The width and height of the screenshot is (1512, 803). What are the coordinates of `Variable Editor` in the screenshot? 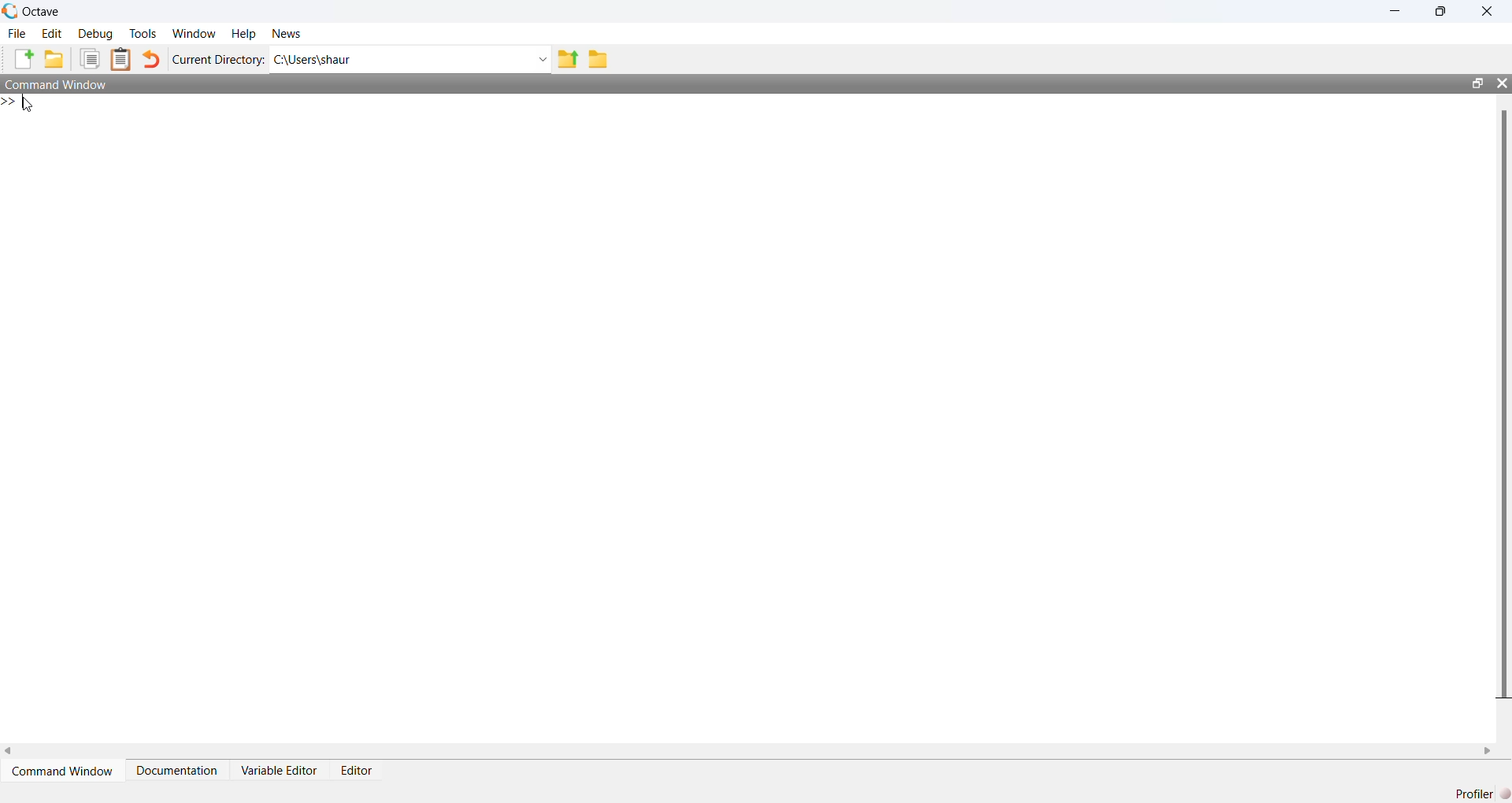 It's located at (280, 771).